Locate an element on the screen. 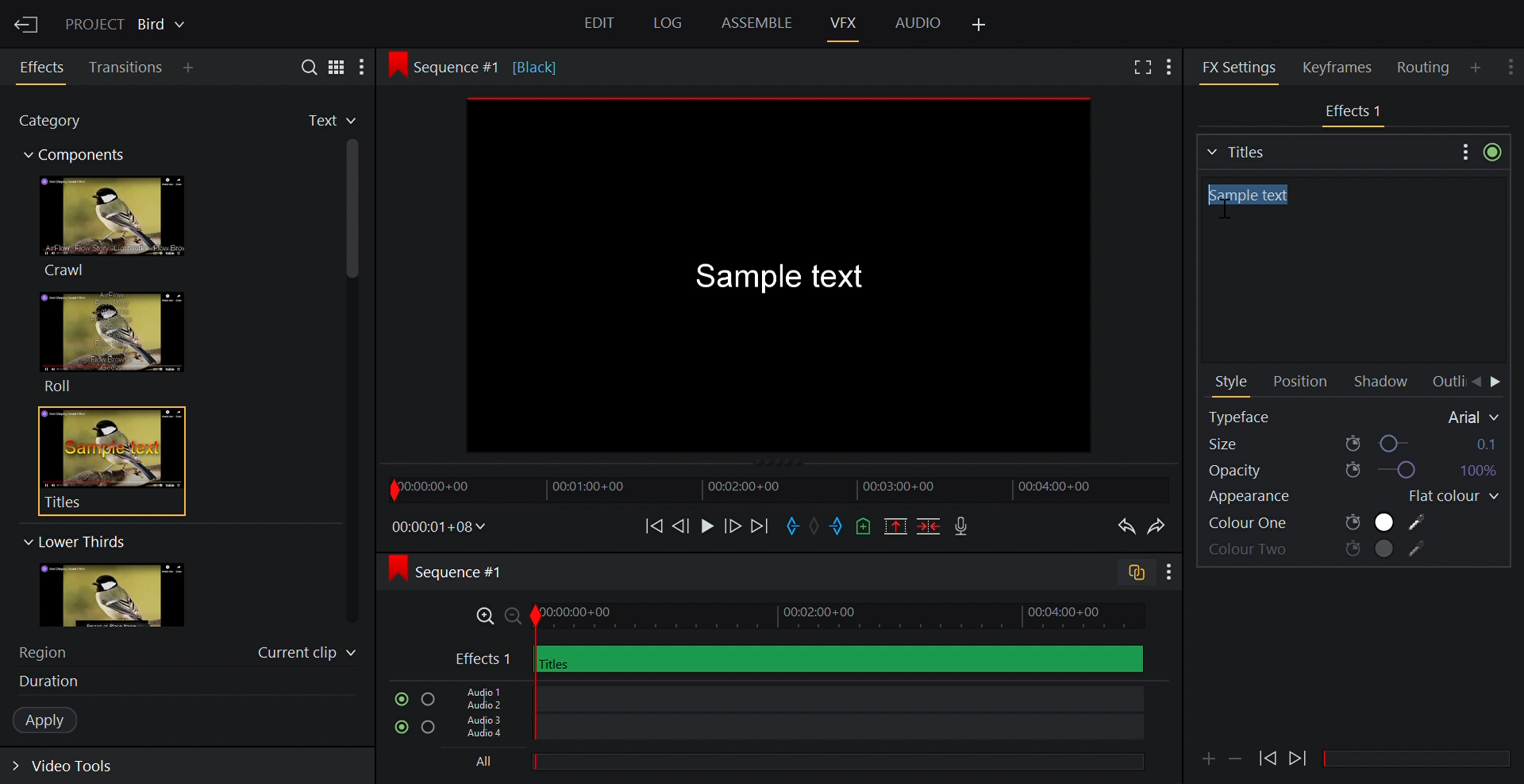 The width and height of the screenshot is (1524, 784). Mute/Unmute is located at coordinates (398, 699).